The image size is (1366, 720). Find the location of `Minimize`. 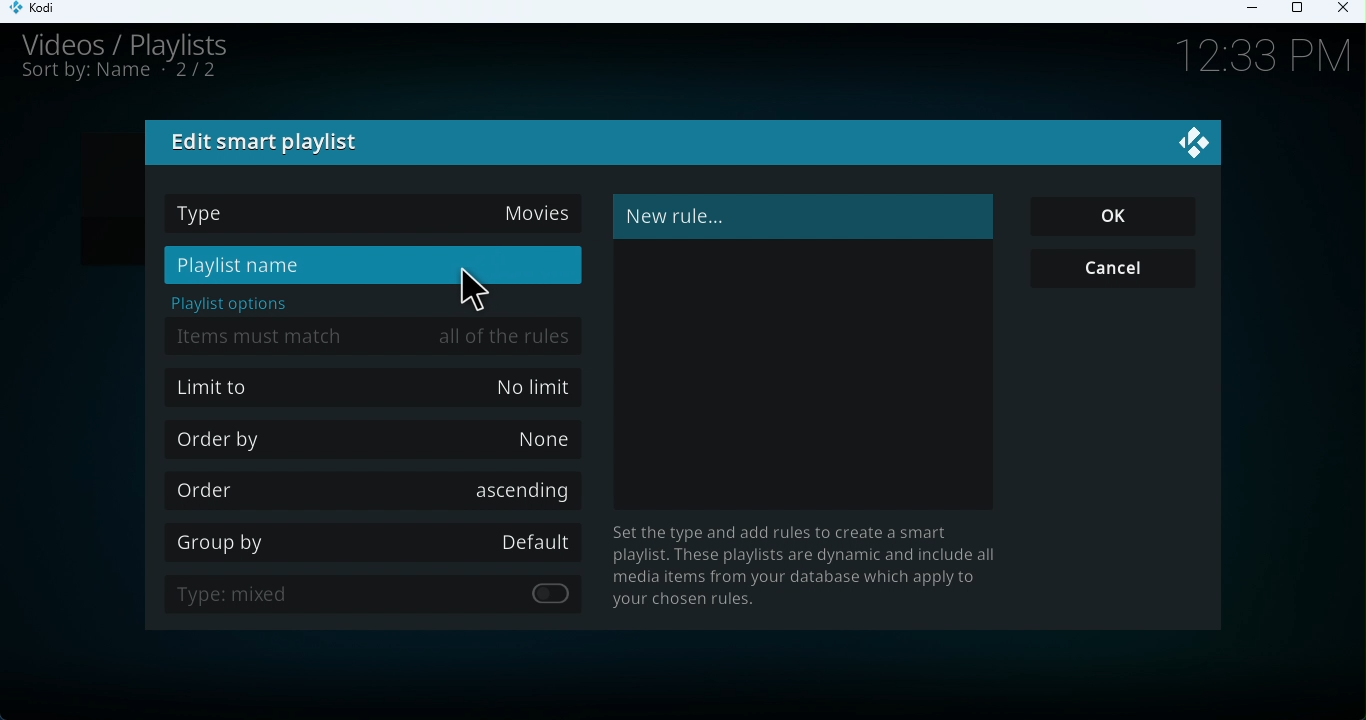

Minimize is located at coordinates (1257, 11).